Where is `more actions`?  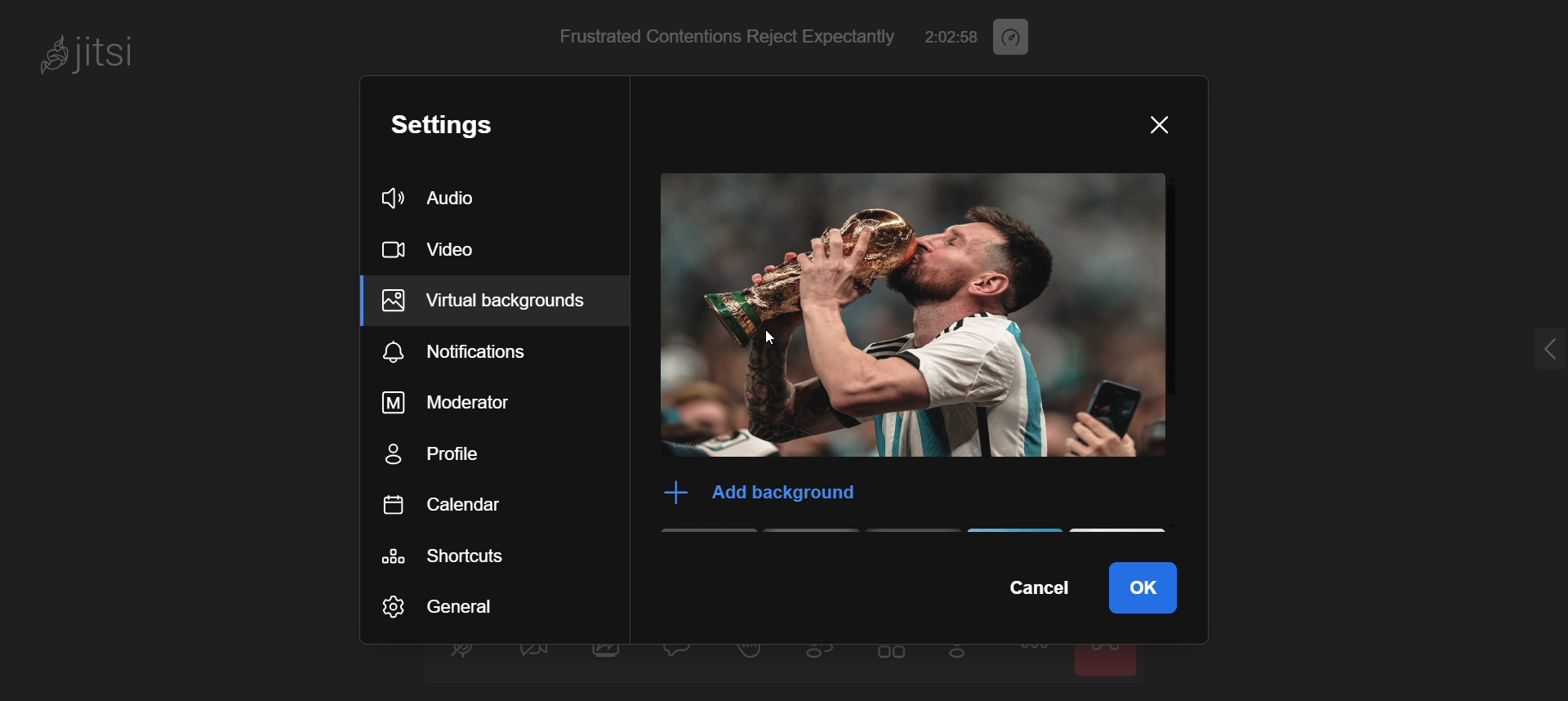
more actions is located at coordinates (1036, 659).